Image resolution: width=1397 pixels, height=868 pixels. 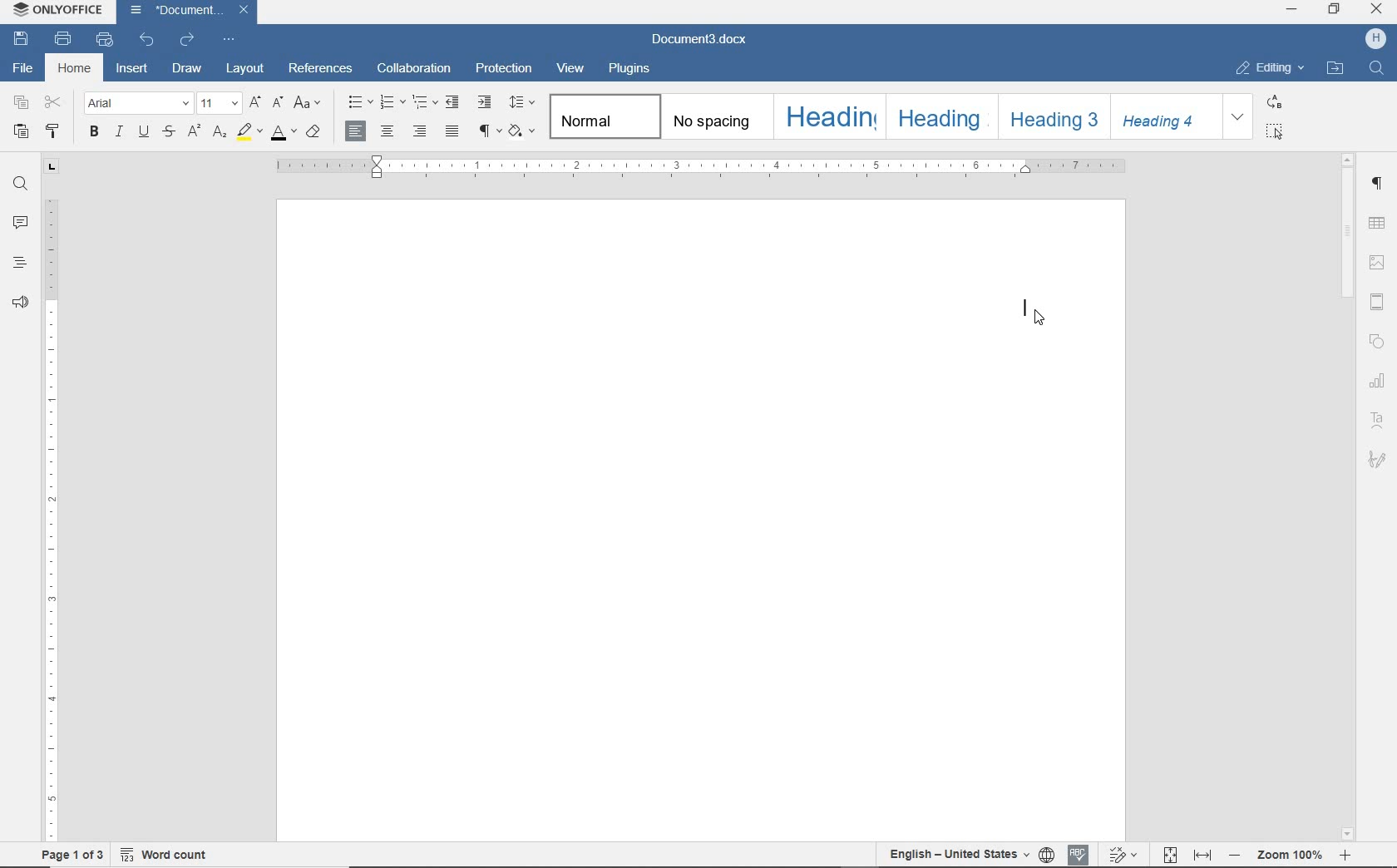 What do you see at coordinates (1122, 856) in the screenshot?
I see `TRACK CHANGES` at bounding box center [1122, 856].